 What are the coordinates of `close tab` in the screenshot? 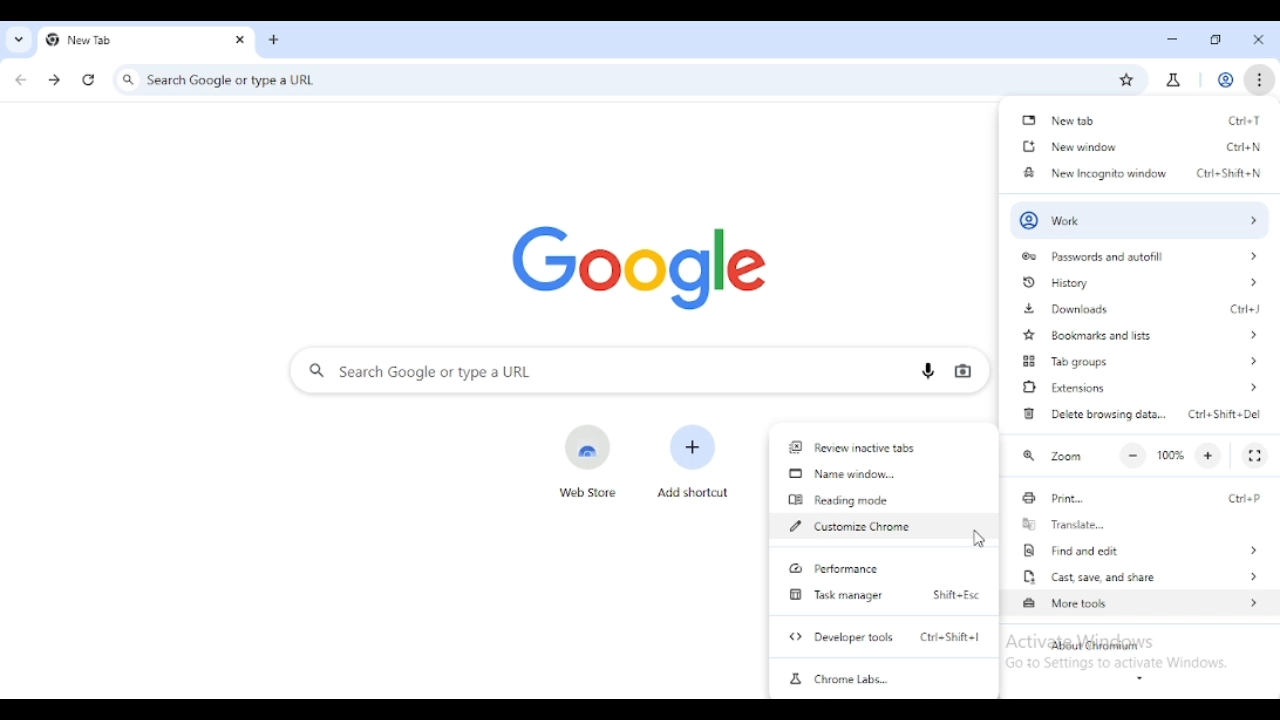 It's located at (1259, 39).